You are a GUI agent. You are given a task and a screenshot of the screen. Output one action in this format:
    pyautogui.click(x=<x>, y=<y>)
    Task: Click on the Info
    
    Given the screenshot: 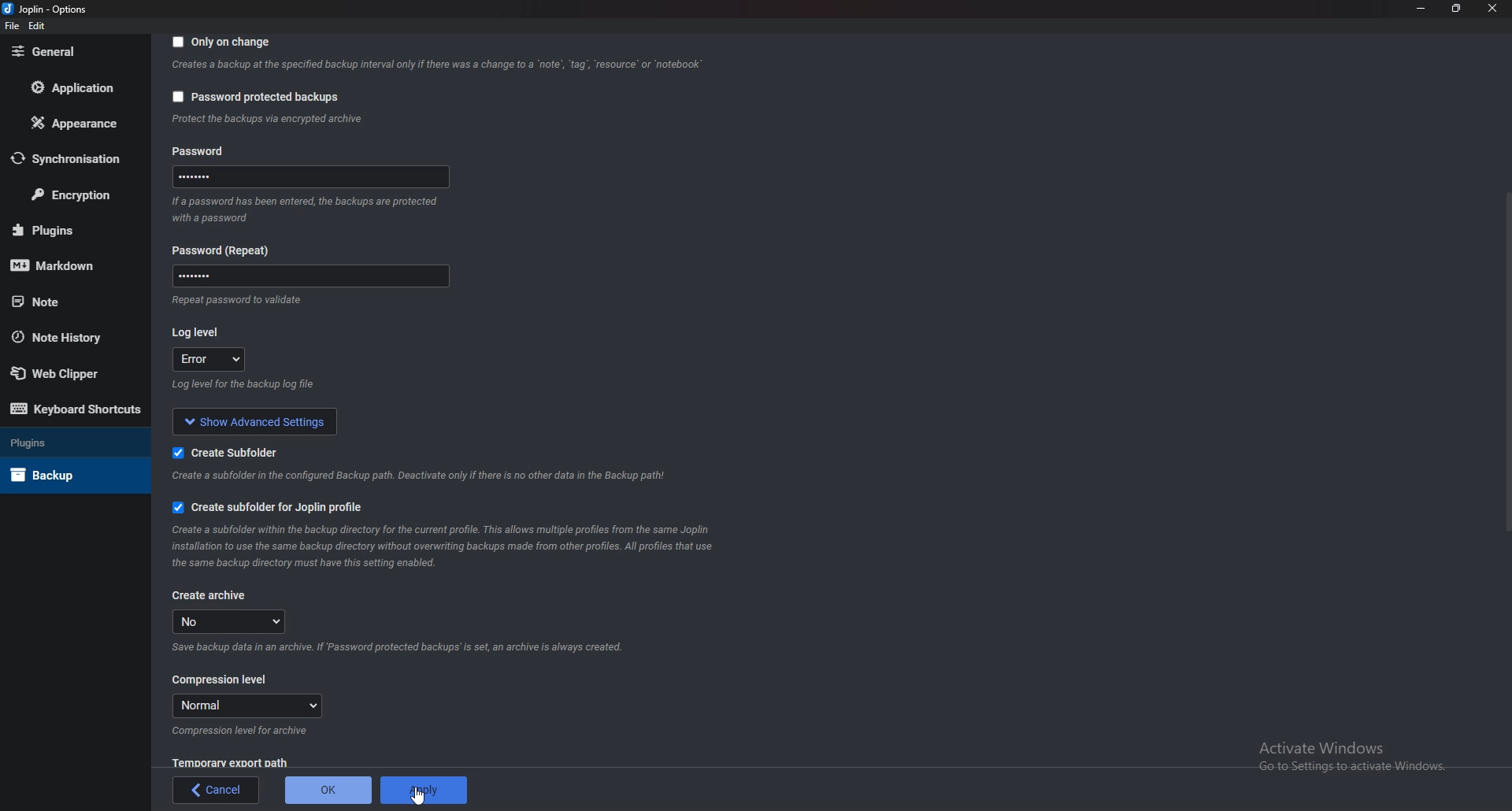 What is the action you would take?
    pyautogui.click(x=436, y=67)
    